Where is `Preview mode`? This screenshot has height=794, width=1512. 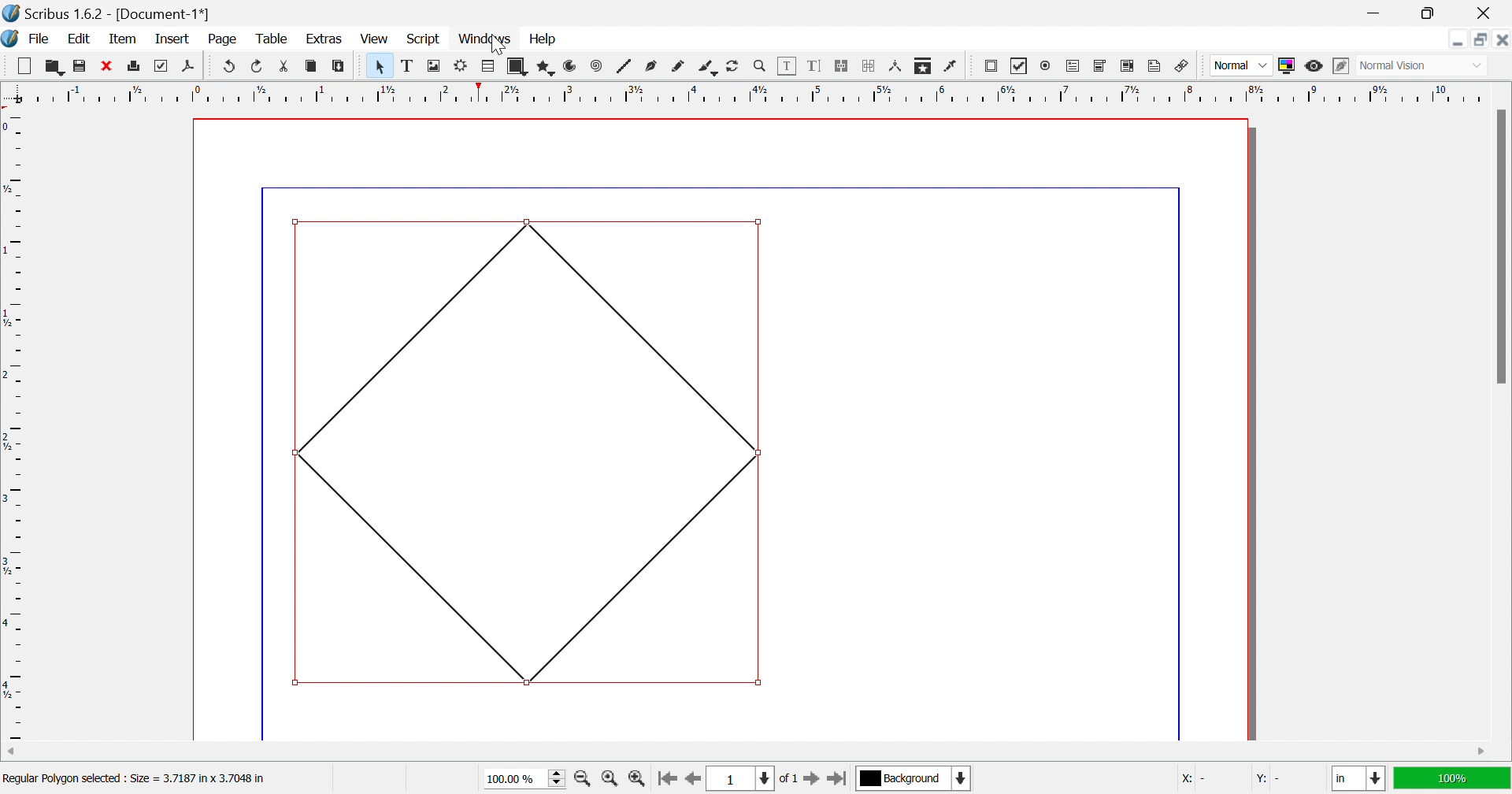
Preview mode is located at coordinates (1313, 66).